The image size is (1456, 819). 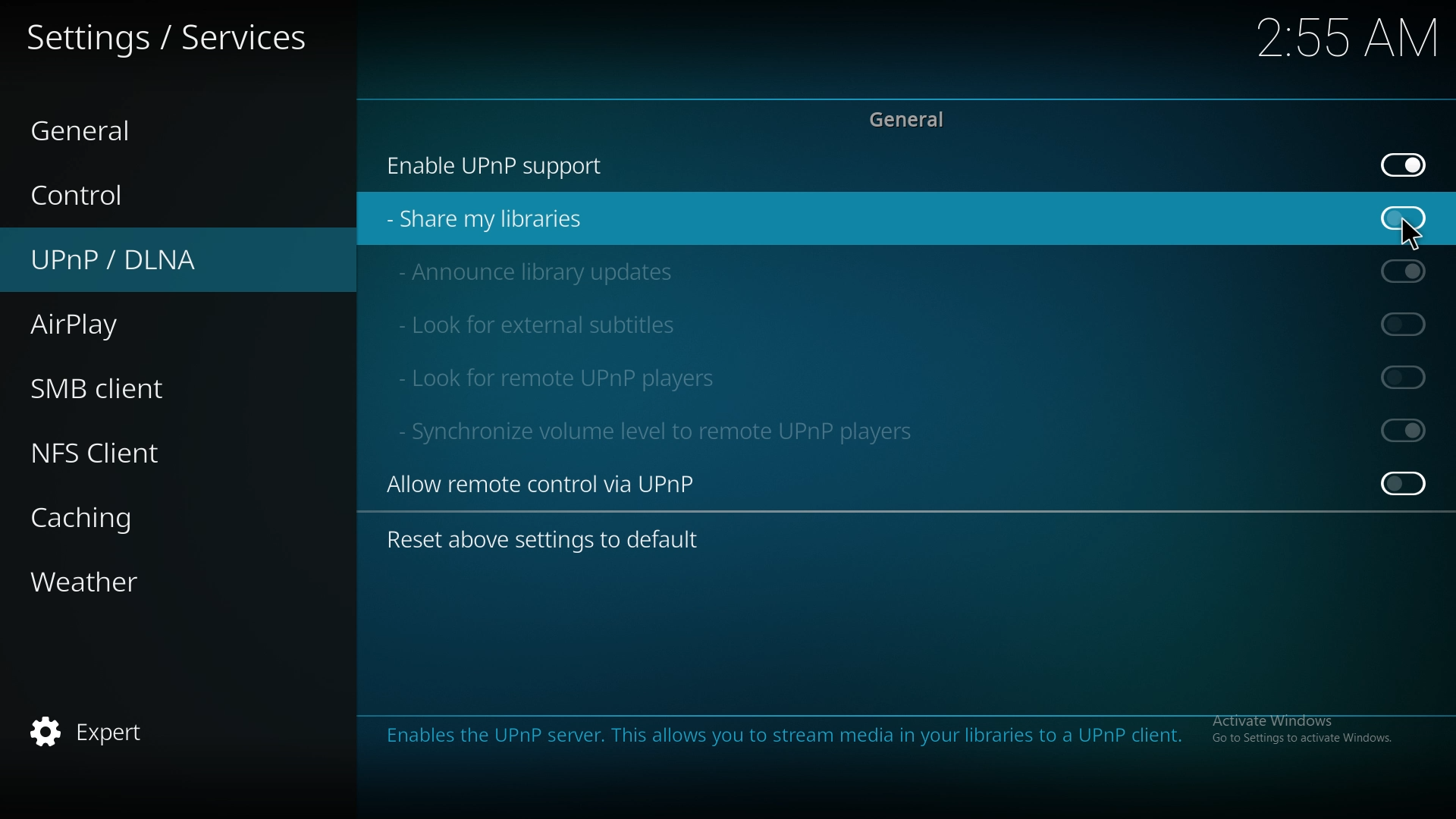 What do you see at coordinates (116, 196) in the screenshot?
I see `control` at bounding box center [116, 196].